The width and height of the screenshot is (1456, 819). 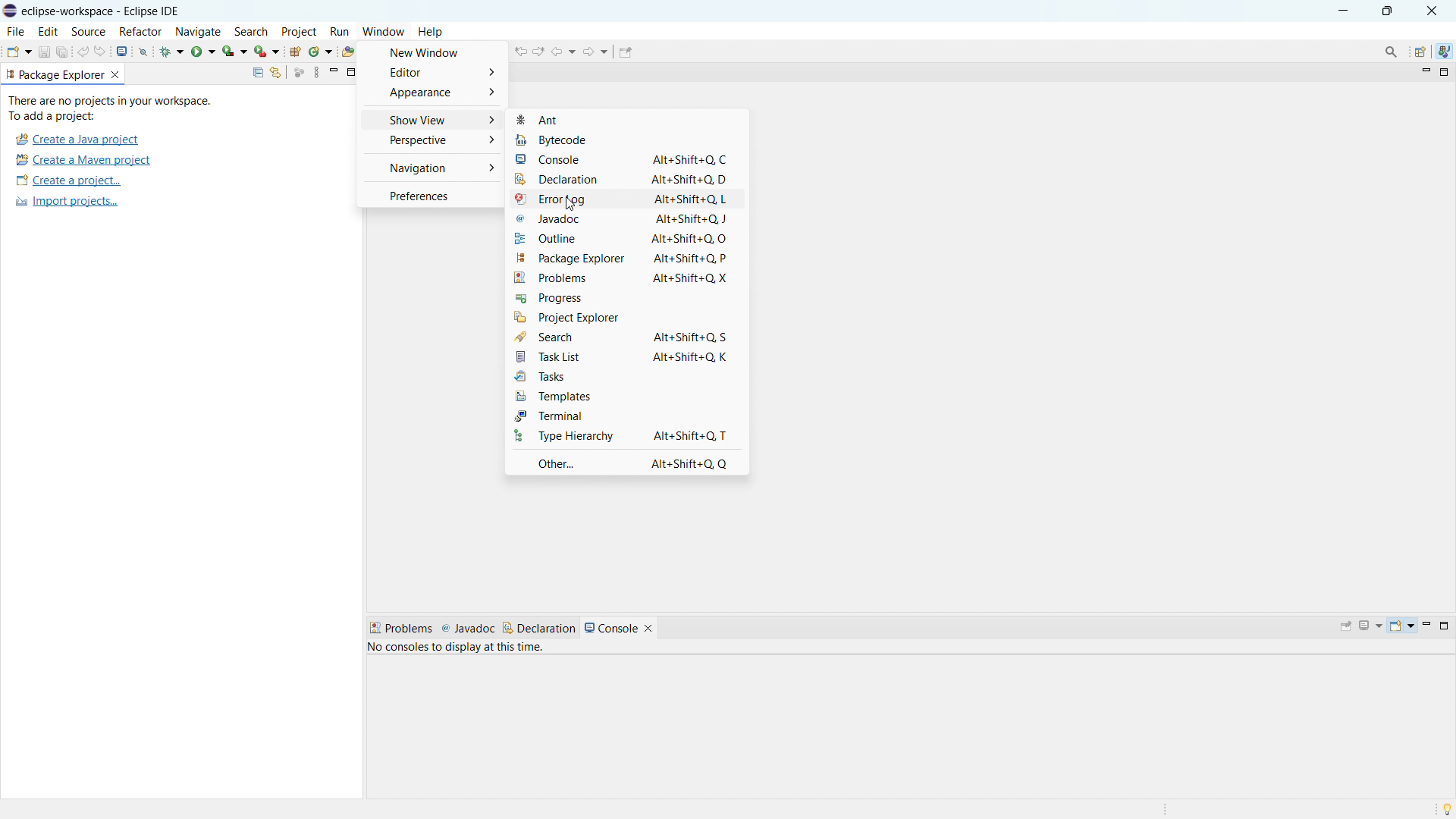 I want to click on New Window, so click(x=422, y=50).